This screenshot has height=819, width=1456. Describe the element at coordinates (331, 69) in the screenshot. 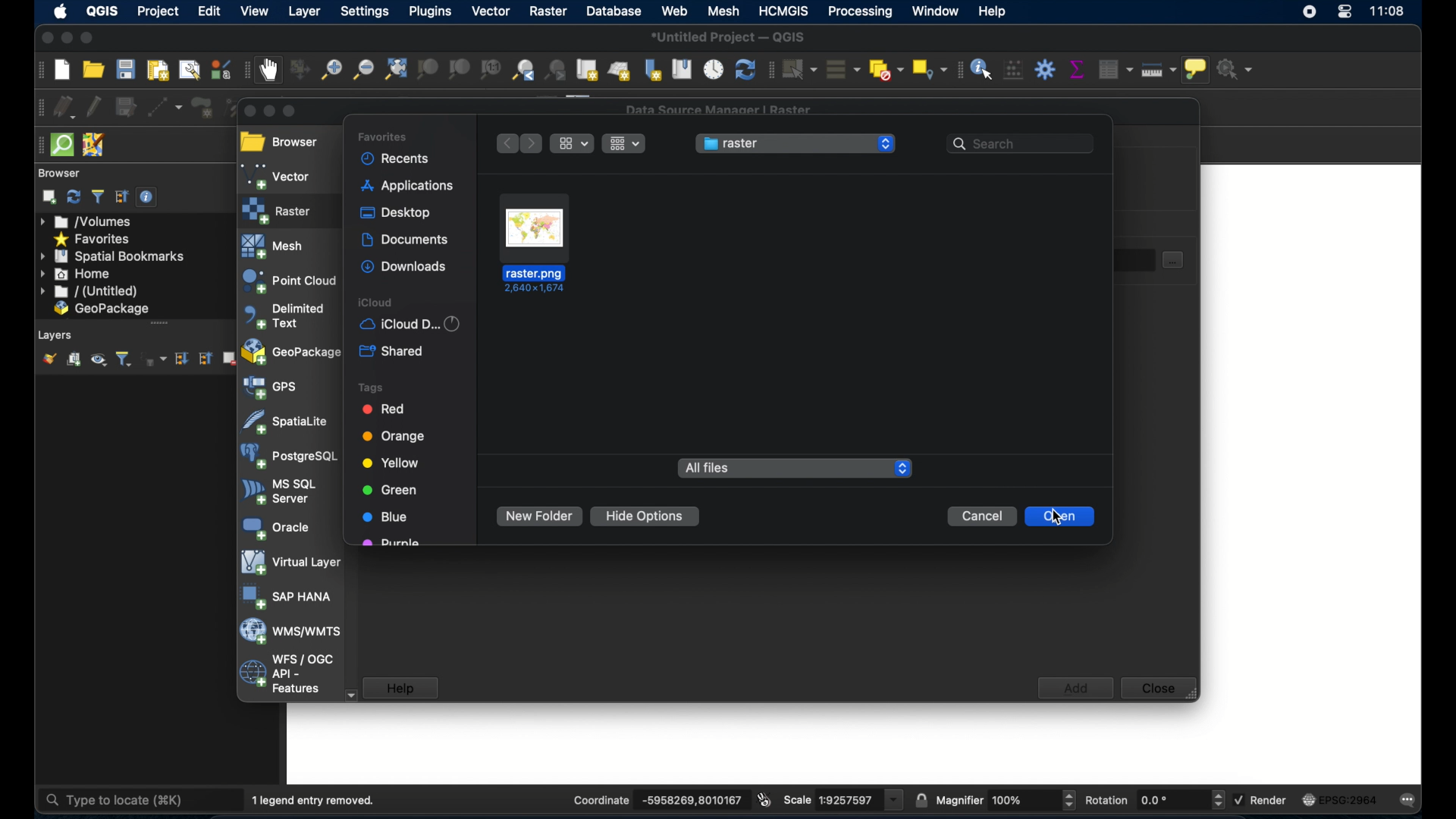

I see `zoom in` at that location.